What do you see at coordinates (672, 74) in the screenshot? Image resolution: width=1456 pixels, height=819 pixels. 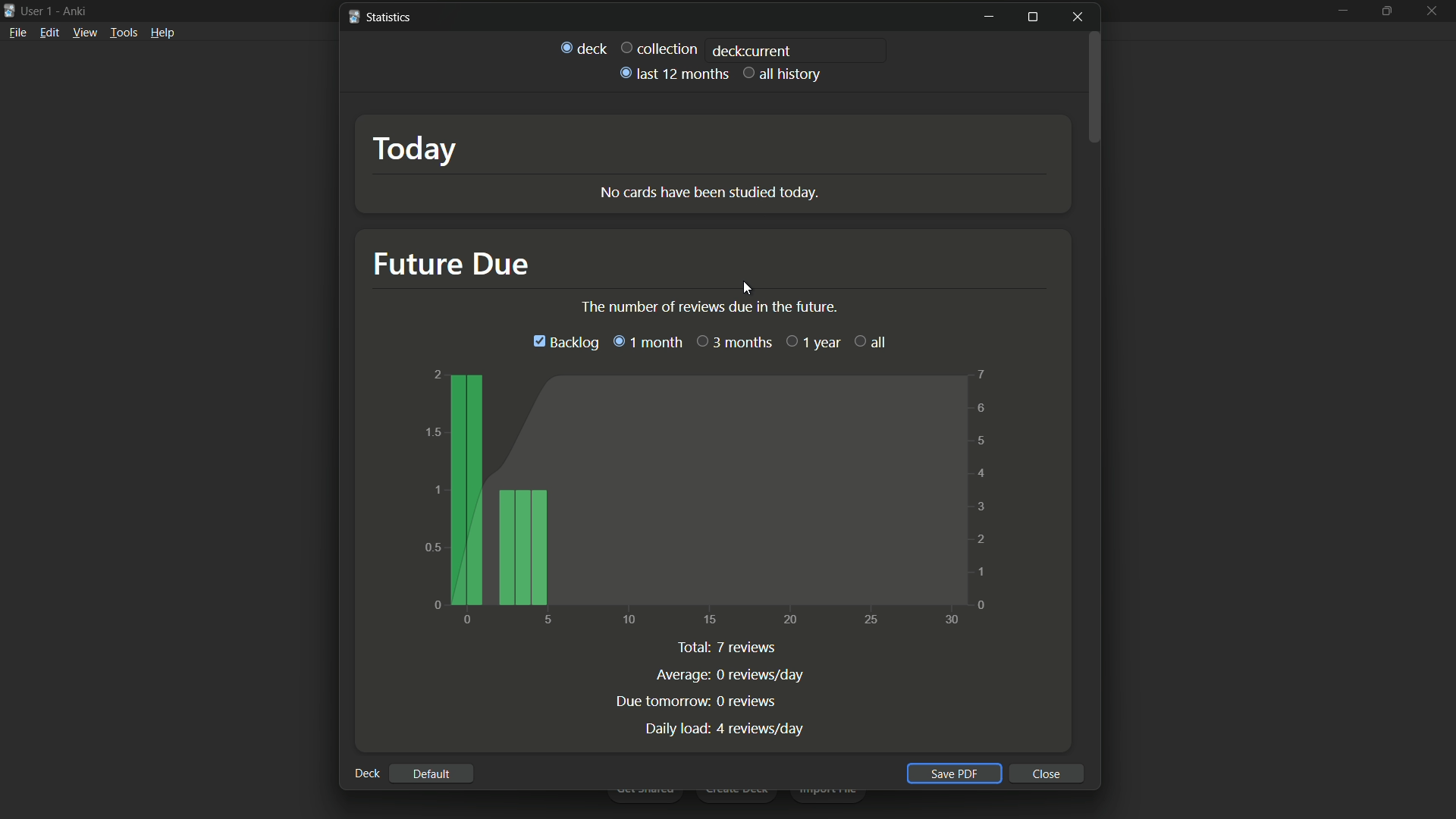 I see `last 12 months` at bounding box center [672, 74].